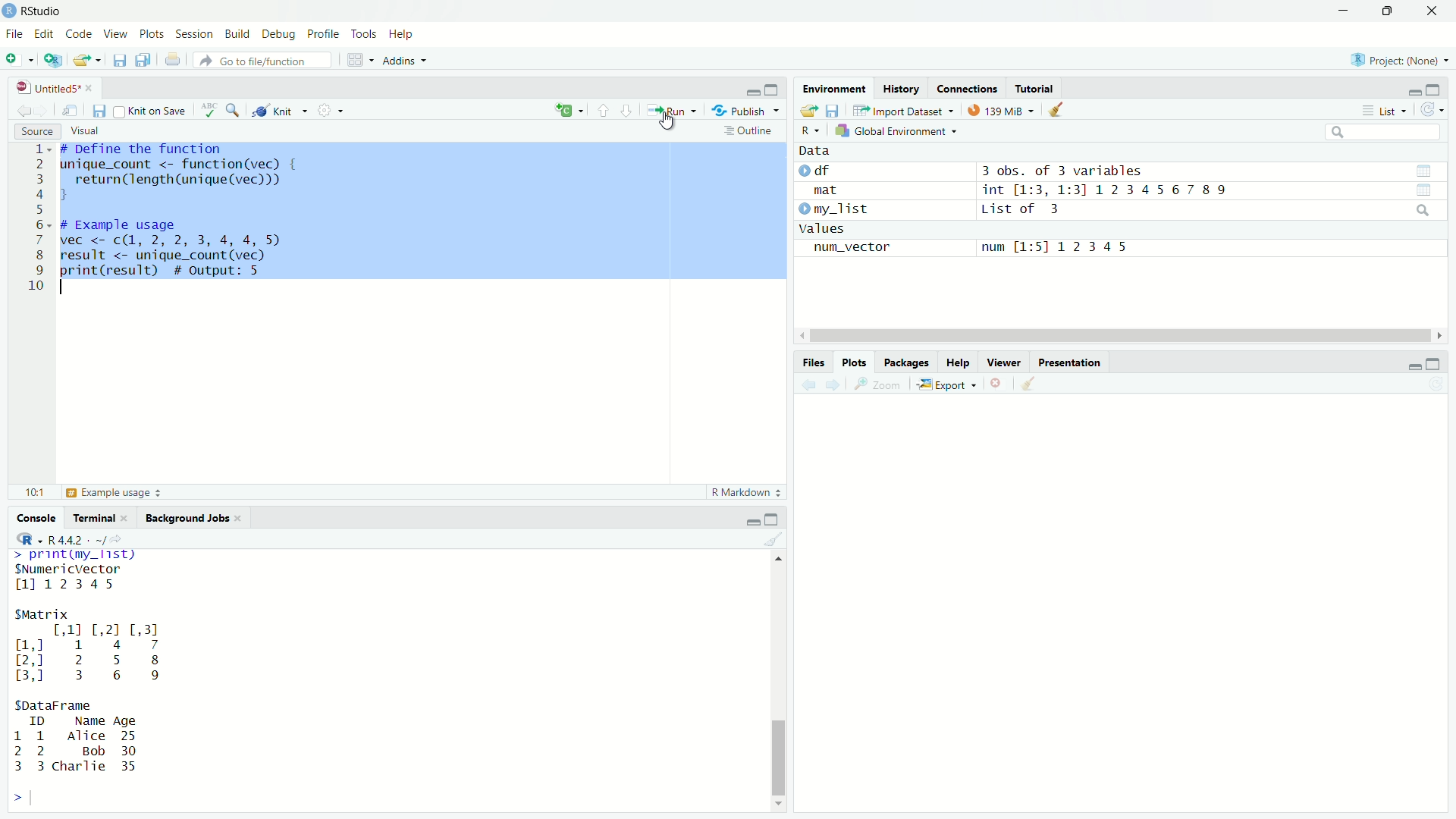  What do you see at coordinates (189, 518) in the screenshot?
I see `Background` at bounding box center [189, 518].